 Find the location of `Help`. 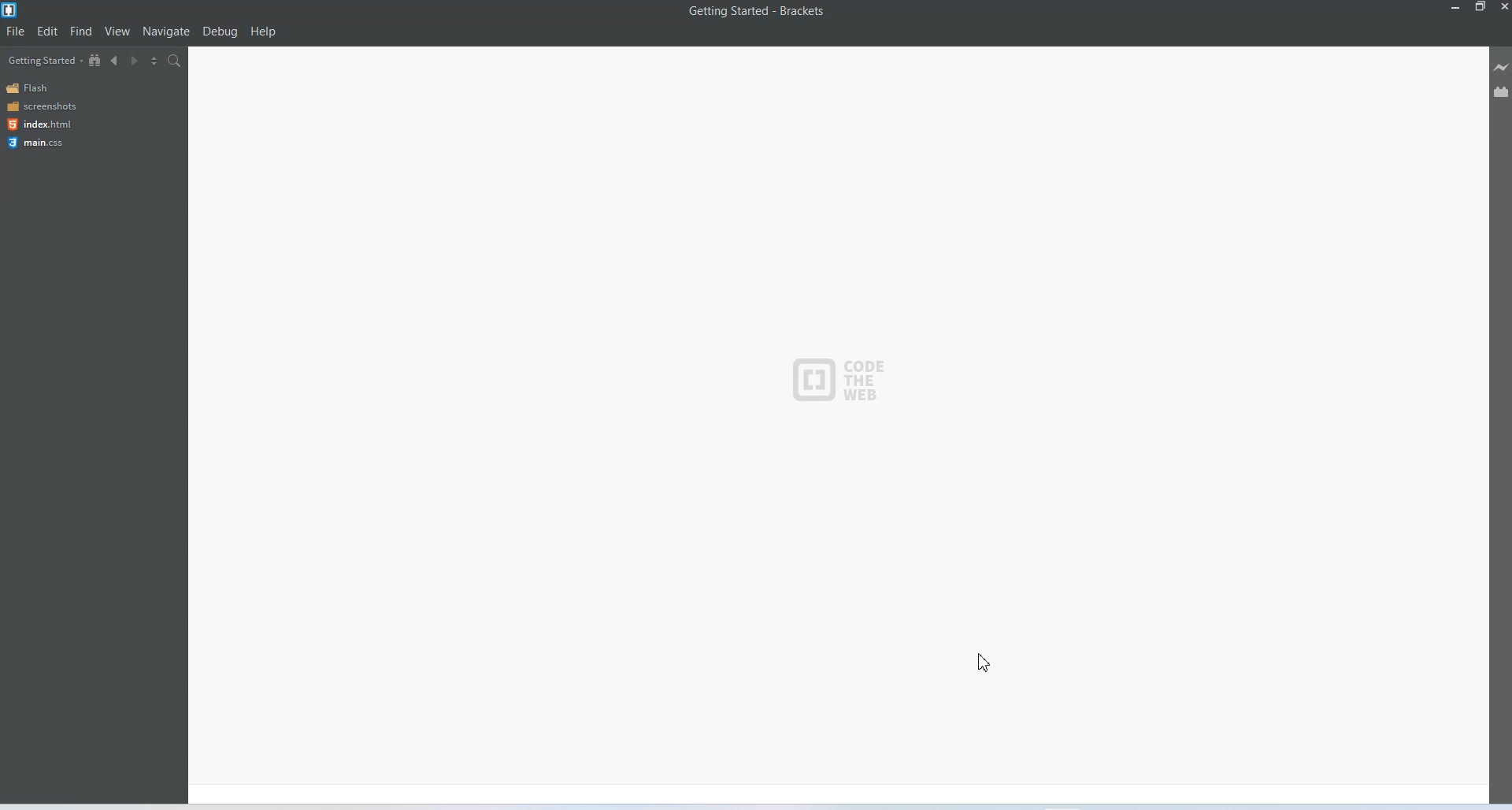

Help is located at coordinates (263, 32).